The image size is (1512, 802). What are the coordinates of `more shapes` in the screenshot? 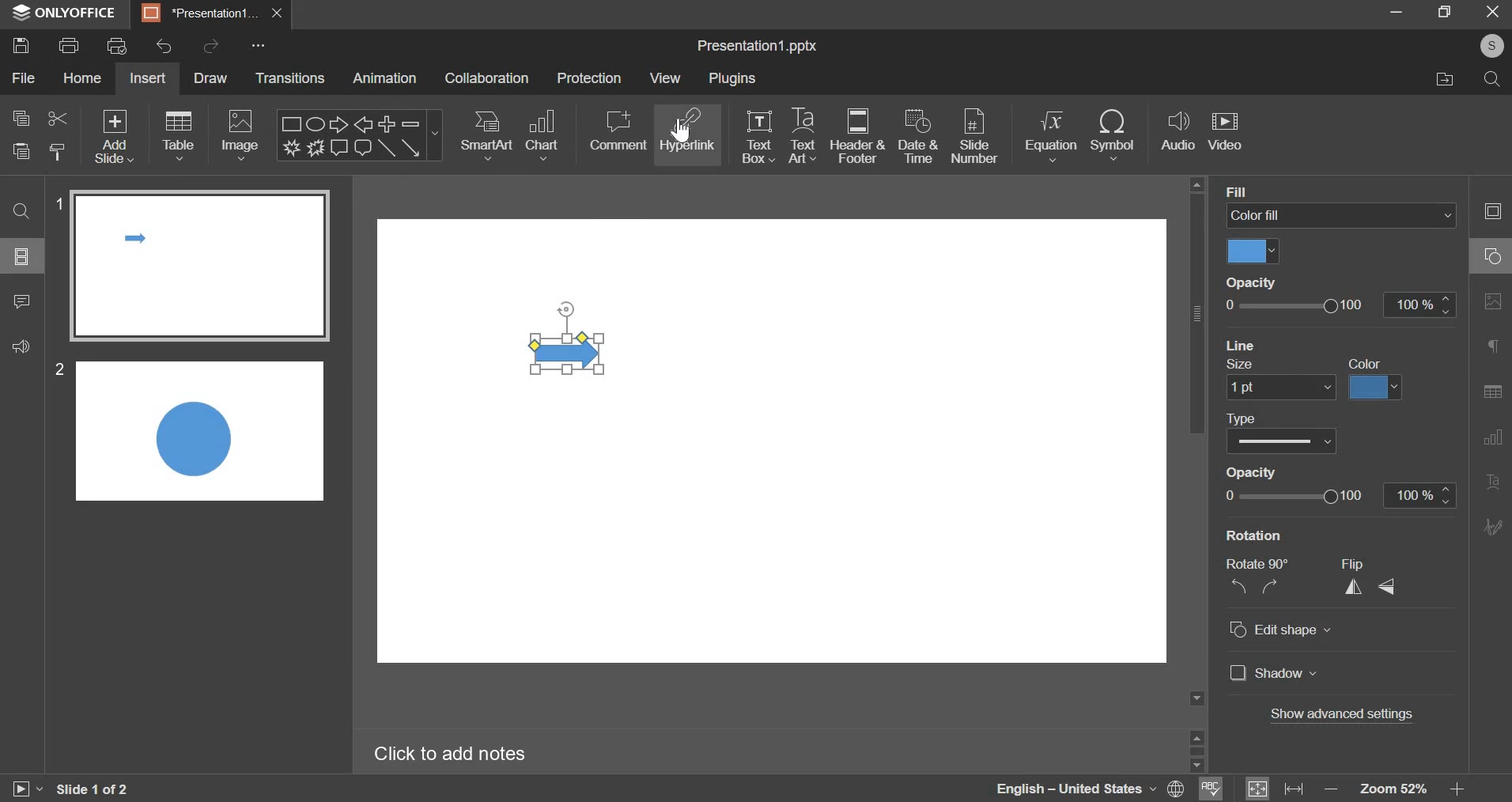 It's located at (436, 133).